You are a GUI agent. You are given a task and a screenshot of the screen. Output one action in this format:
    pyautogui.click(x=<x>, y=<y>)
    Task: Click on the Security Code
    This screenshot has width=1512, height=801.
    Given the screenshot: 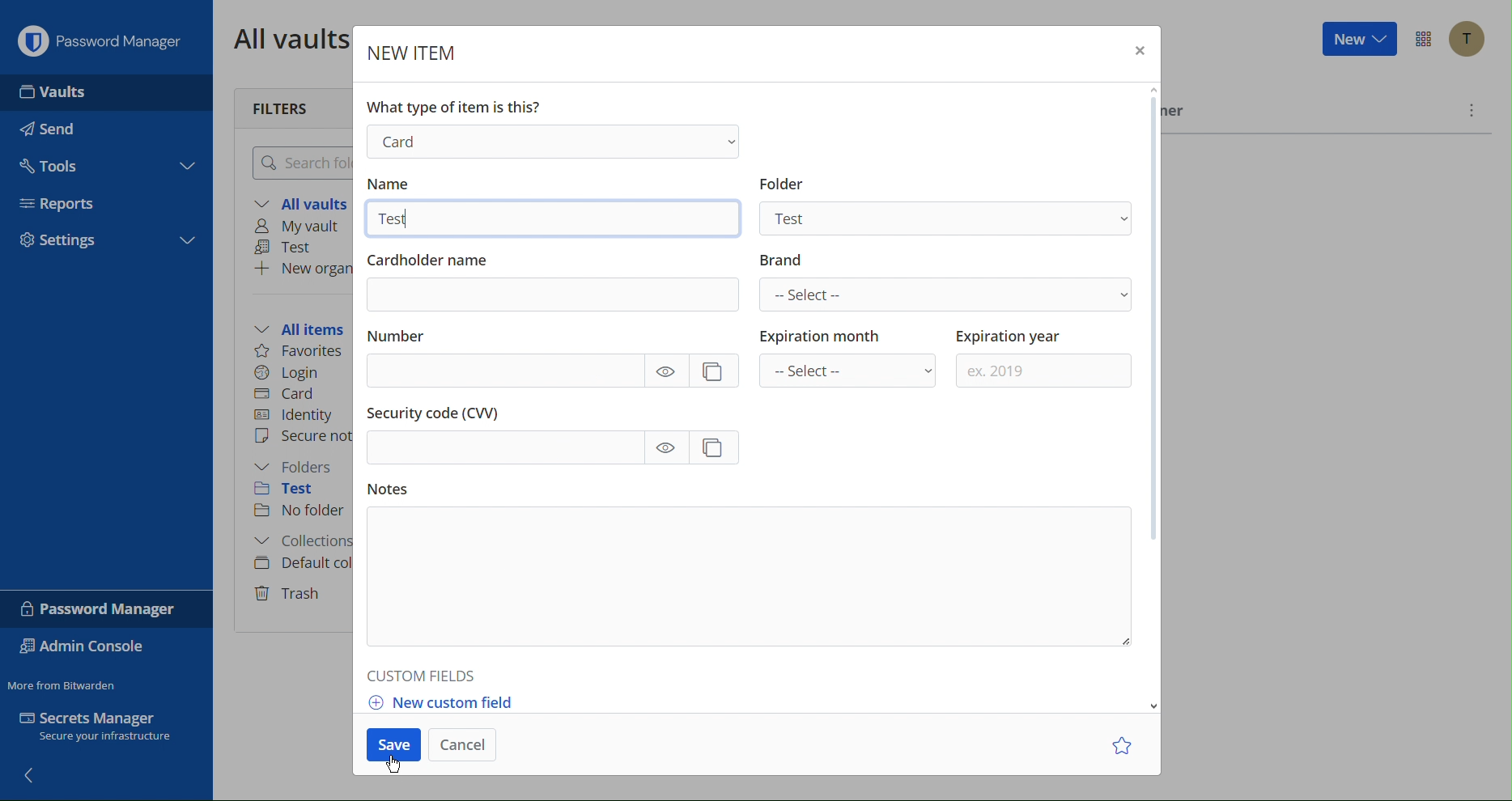 What is the action you would take?
    pyautogui.click(x=557, y=434)
    